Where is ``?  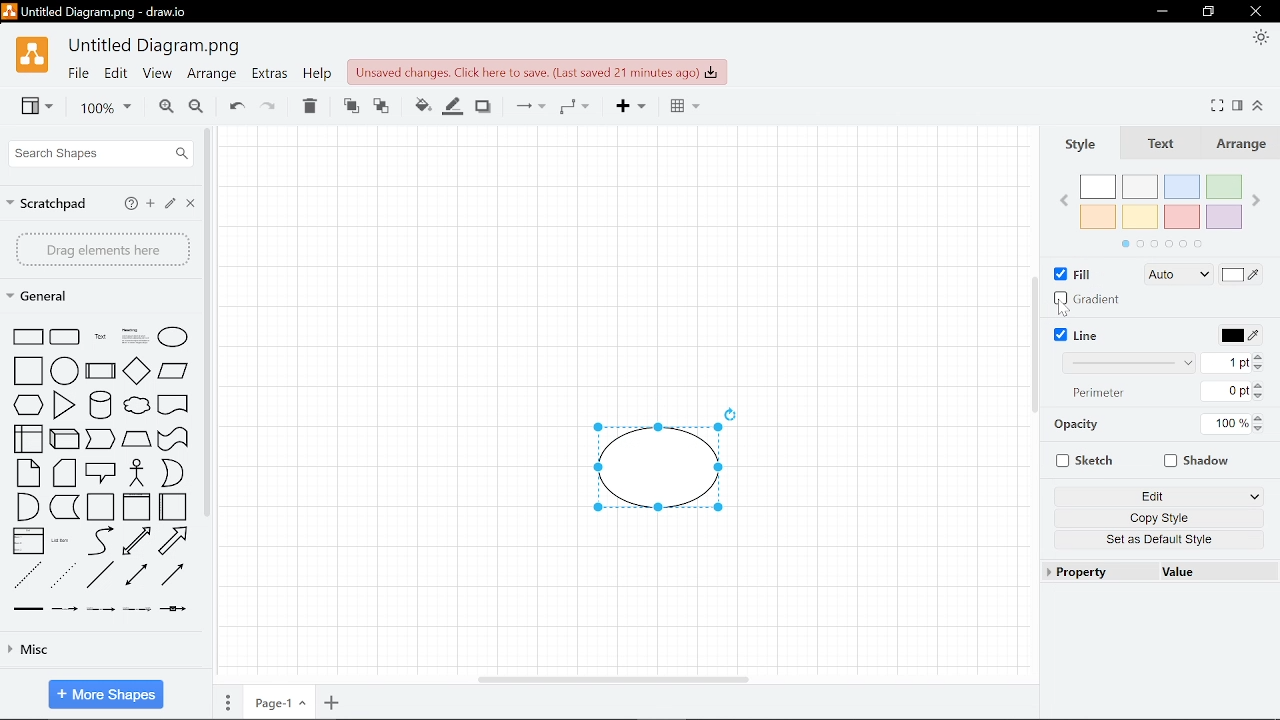  is located at coordinates (1227, 392).